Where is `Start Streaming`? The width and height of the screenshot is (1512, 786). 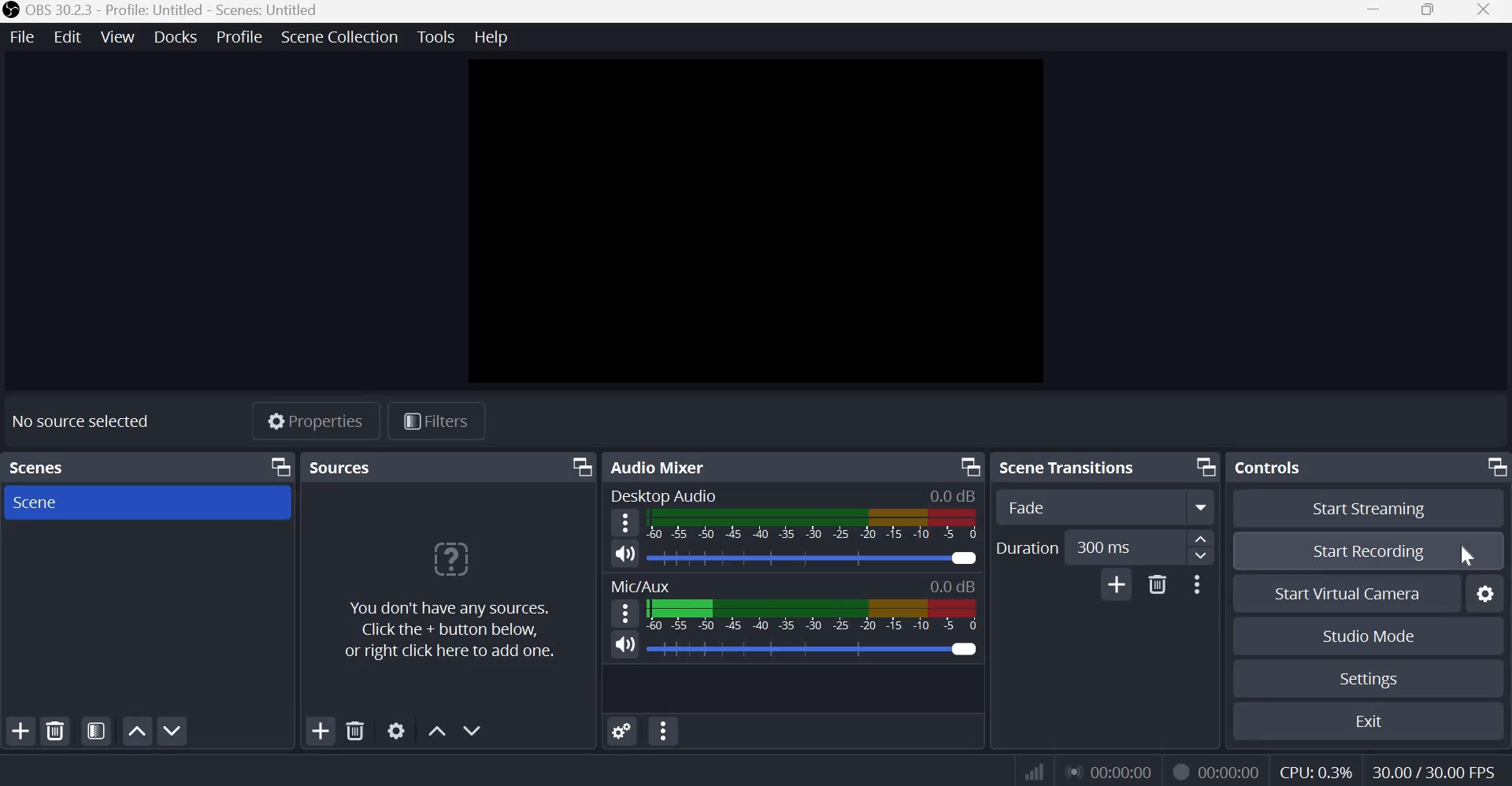 Start Streaming is located at coordinates (1369, 509).